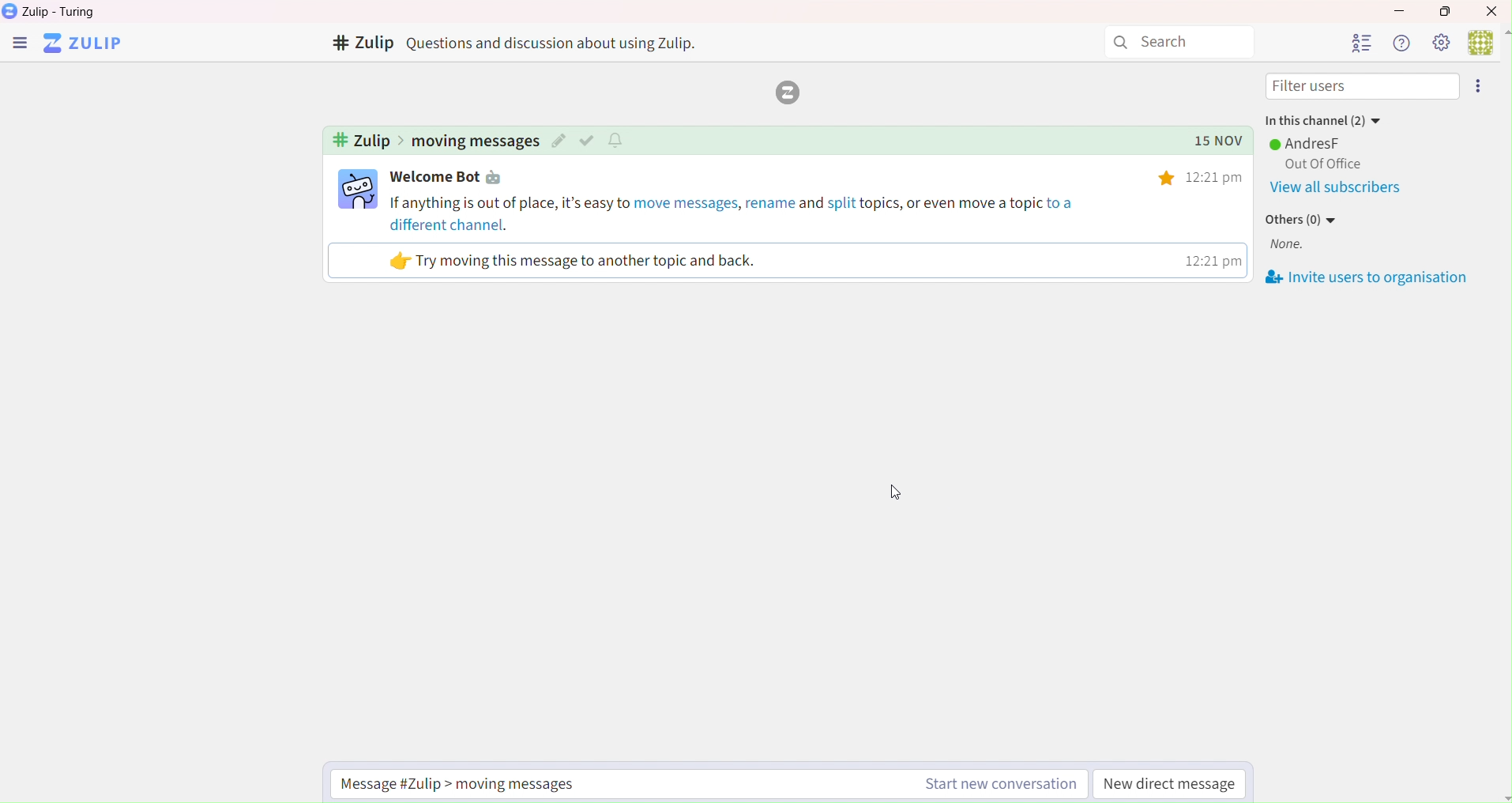  What do you see at coordinates (894, 494) in the screenshot?
I see `cursor` at bounding box center [894, 494].